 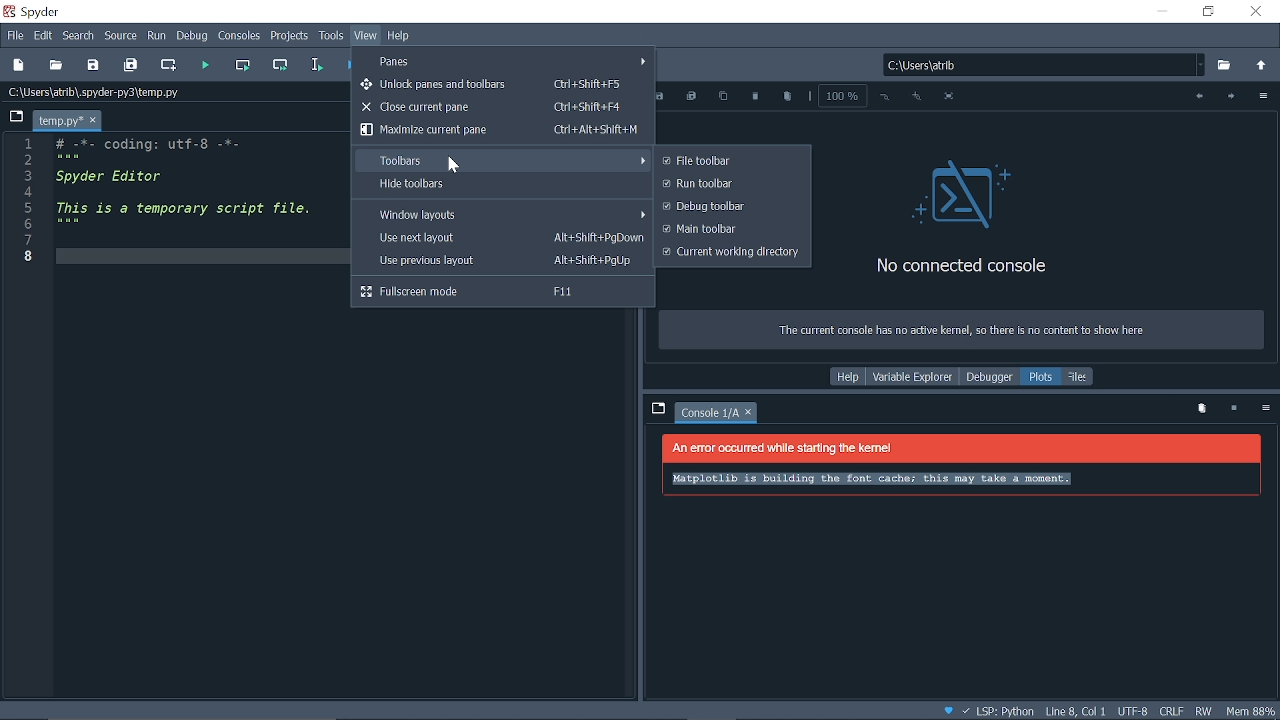 I want to click on , so click(x=751, y=412).